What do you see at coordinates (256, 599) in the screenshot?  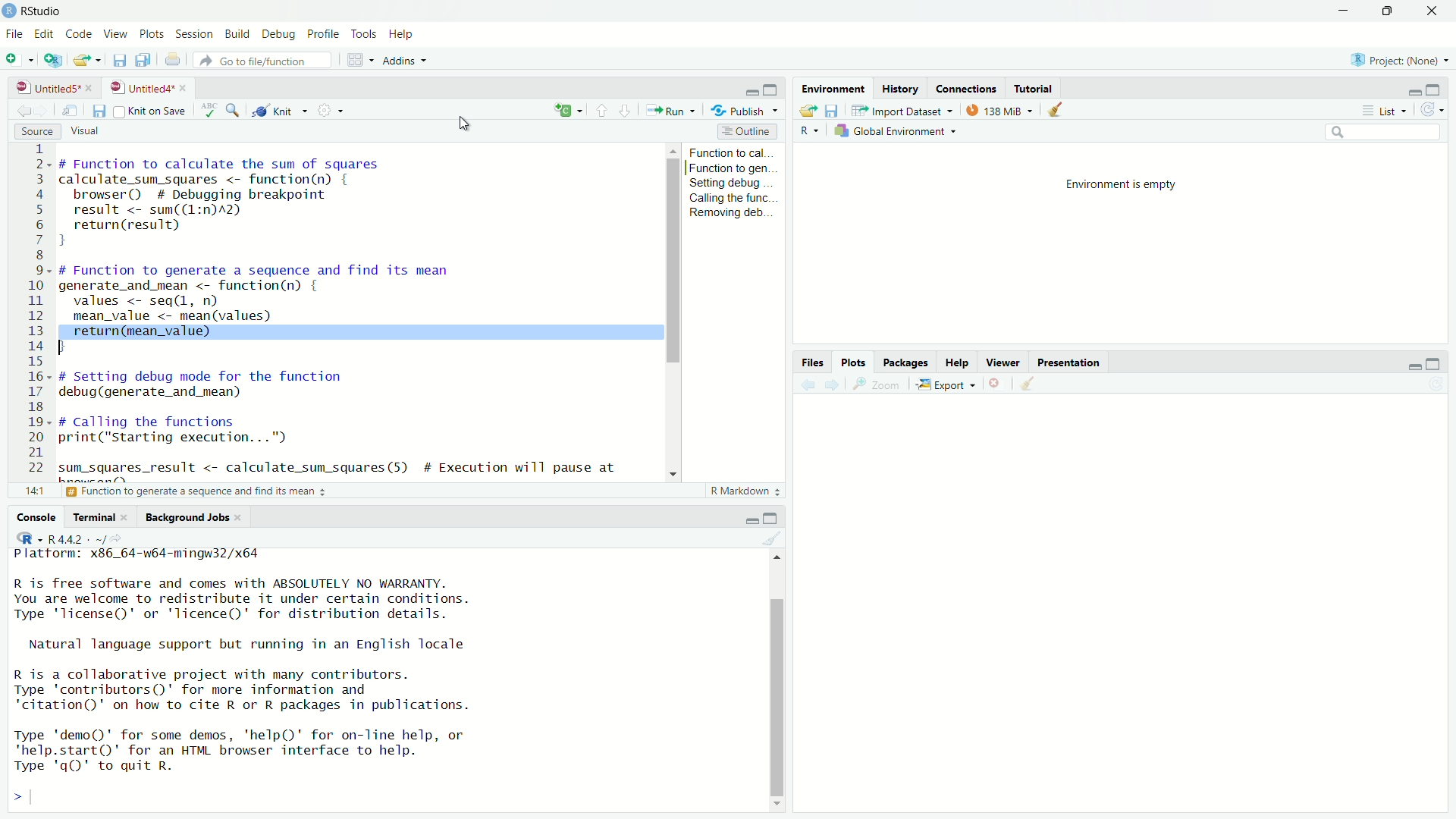 I see `R is free software and comes with ABSOLUTELY NO WARRANTY.
You are welcome to redistribute it under certain conditions.
Type 'Ticense()' or 'licence()' for distribution details.` at bounding box center [256, 599].